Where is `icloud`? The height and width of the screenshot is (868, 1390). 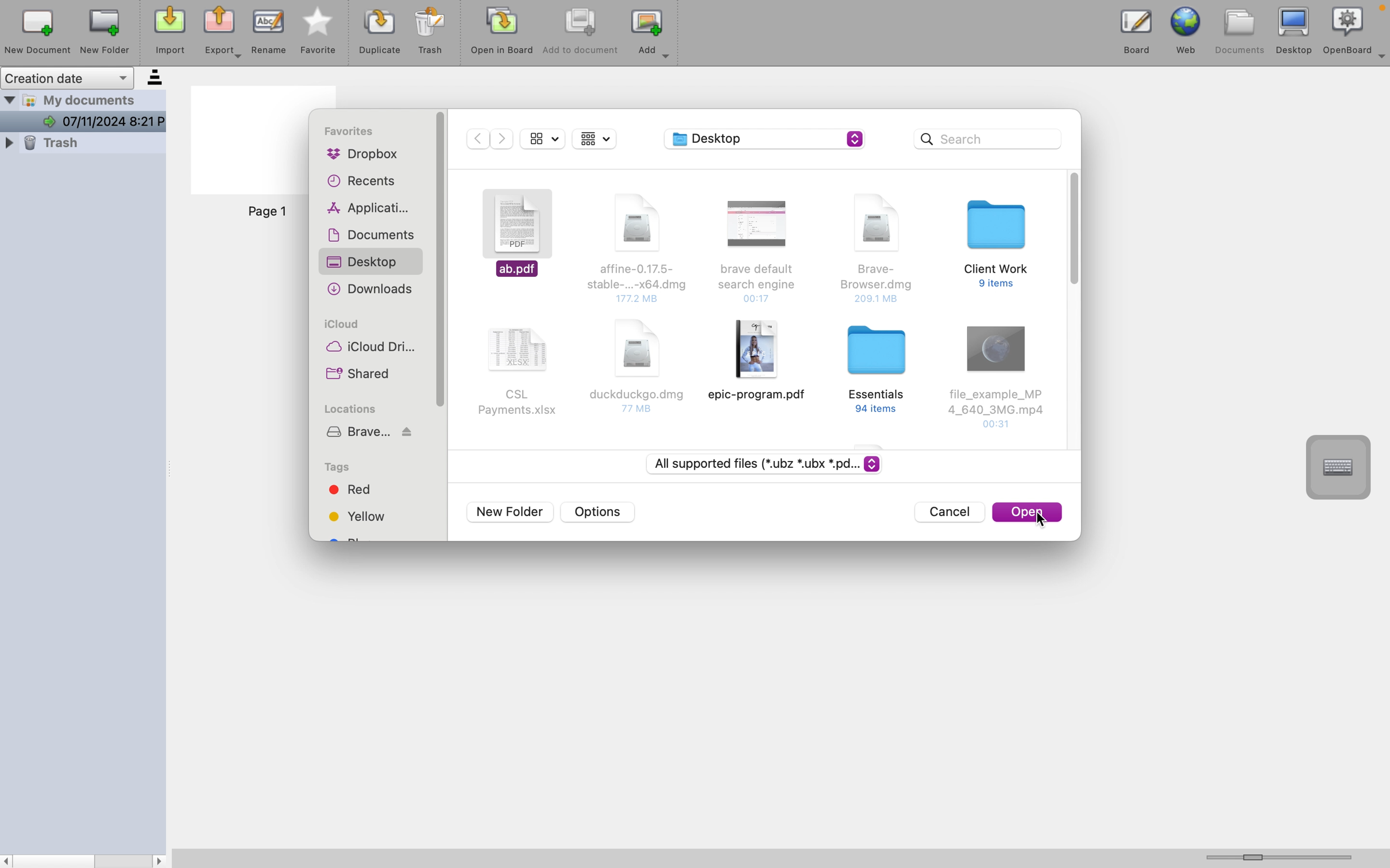
icloud is located at coordinates (347, 324).